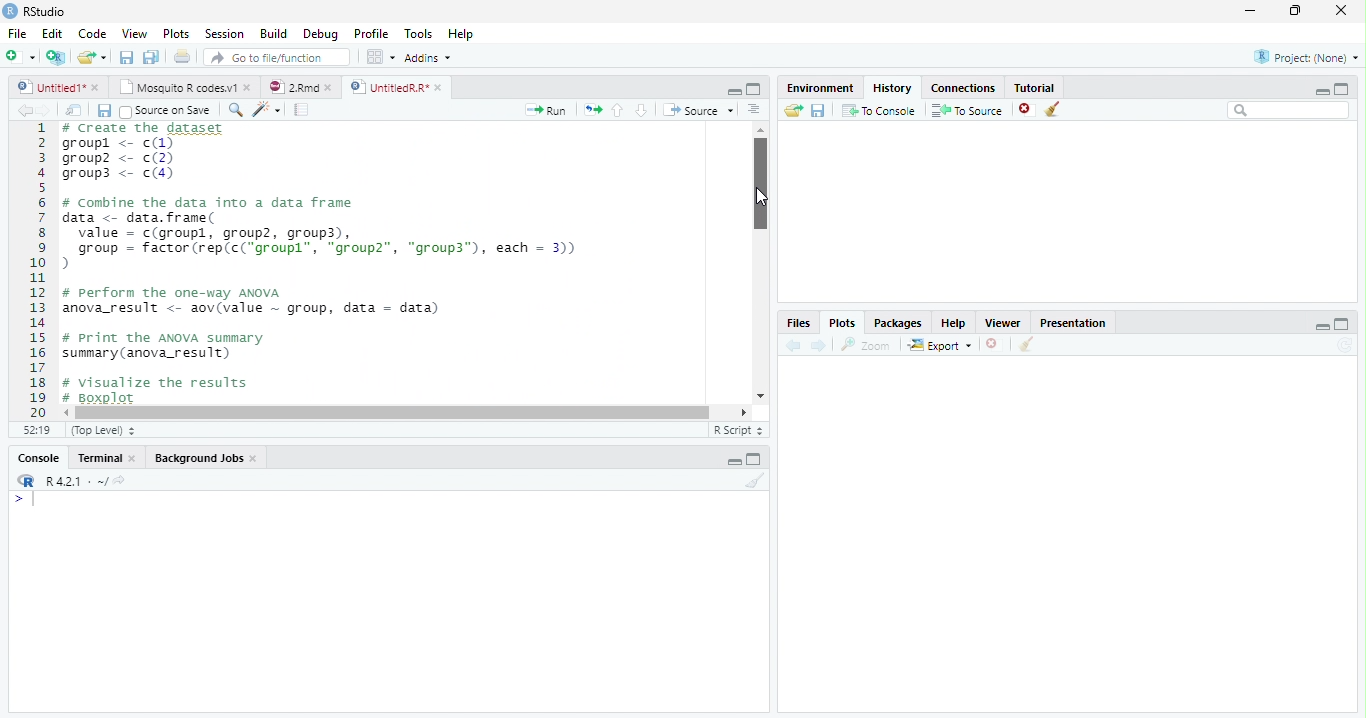 This screenshot has width=1366, height=718. What do you see at coordinates (38, 501) in the screenshot?
I see `Cursor` at bounding box center [38, 501].